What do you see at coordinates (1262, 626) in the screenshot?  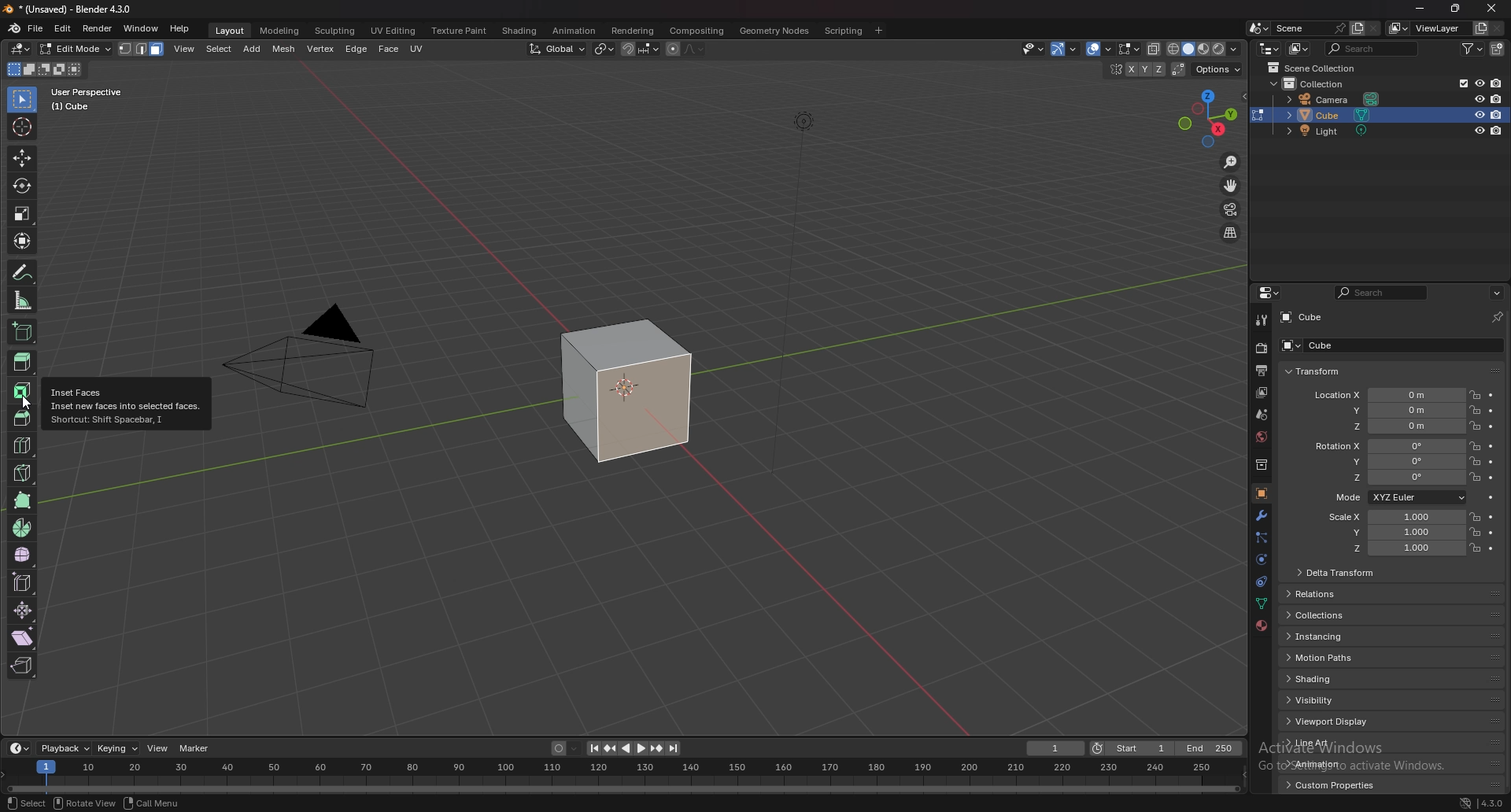 I see `material` at bounding box center [1262, 626].